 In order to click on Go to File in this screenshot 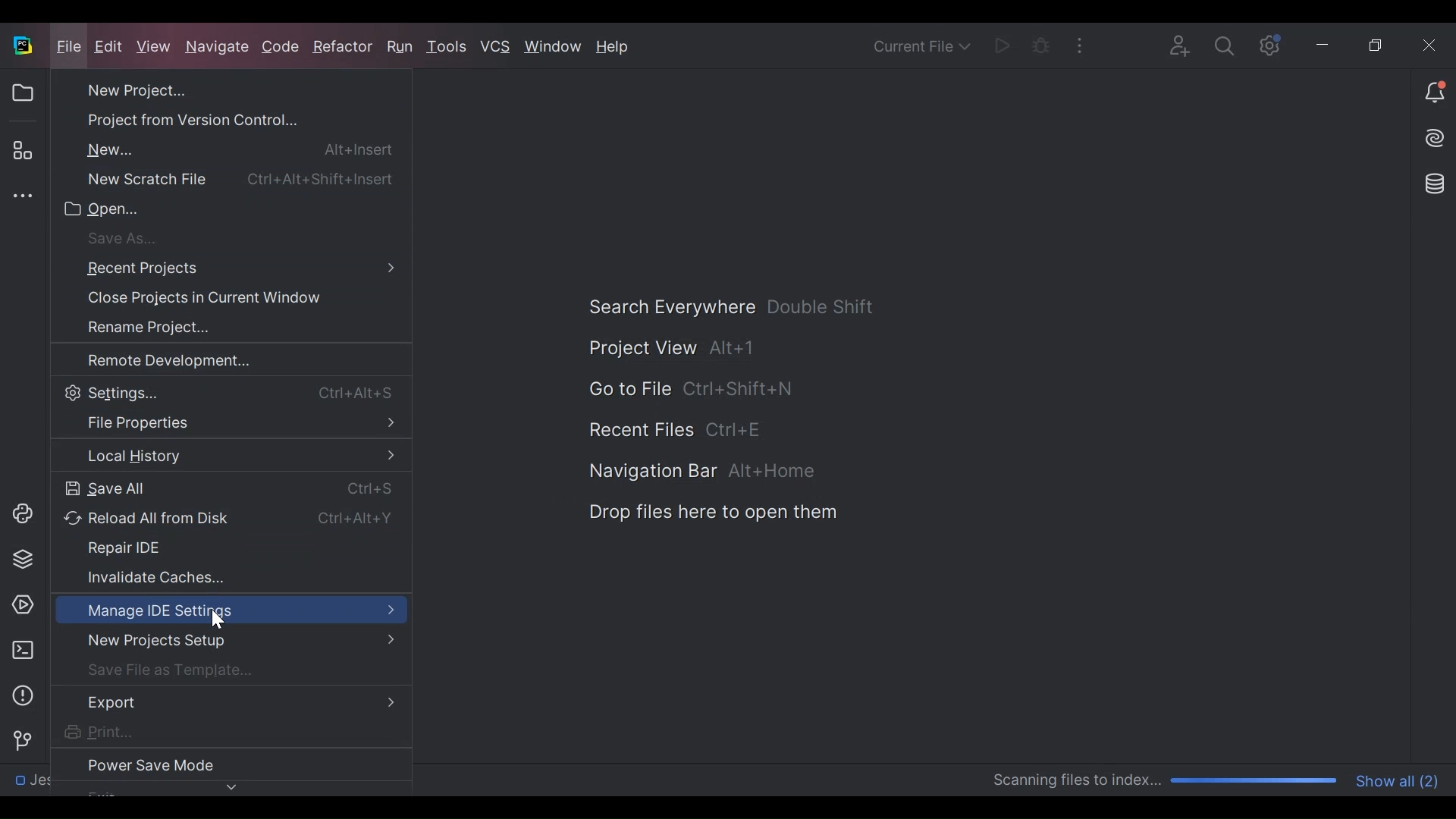, I will do `click(689, 390)`.